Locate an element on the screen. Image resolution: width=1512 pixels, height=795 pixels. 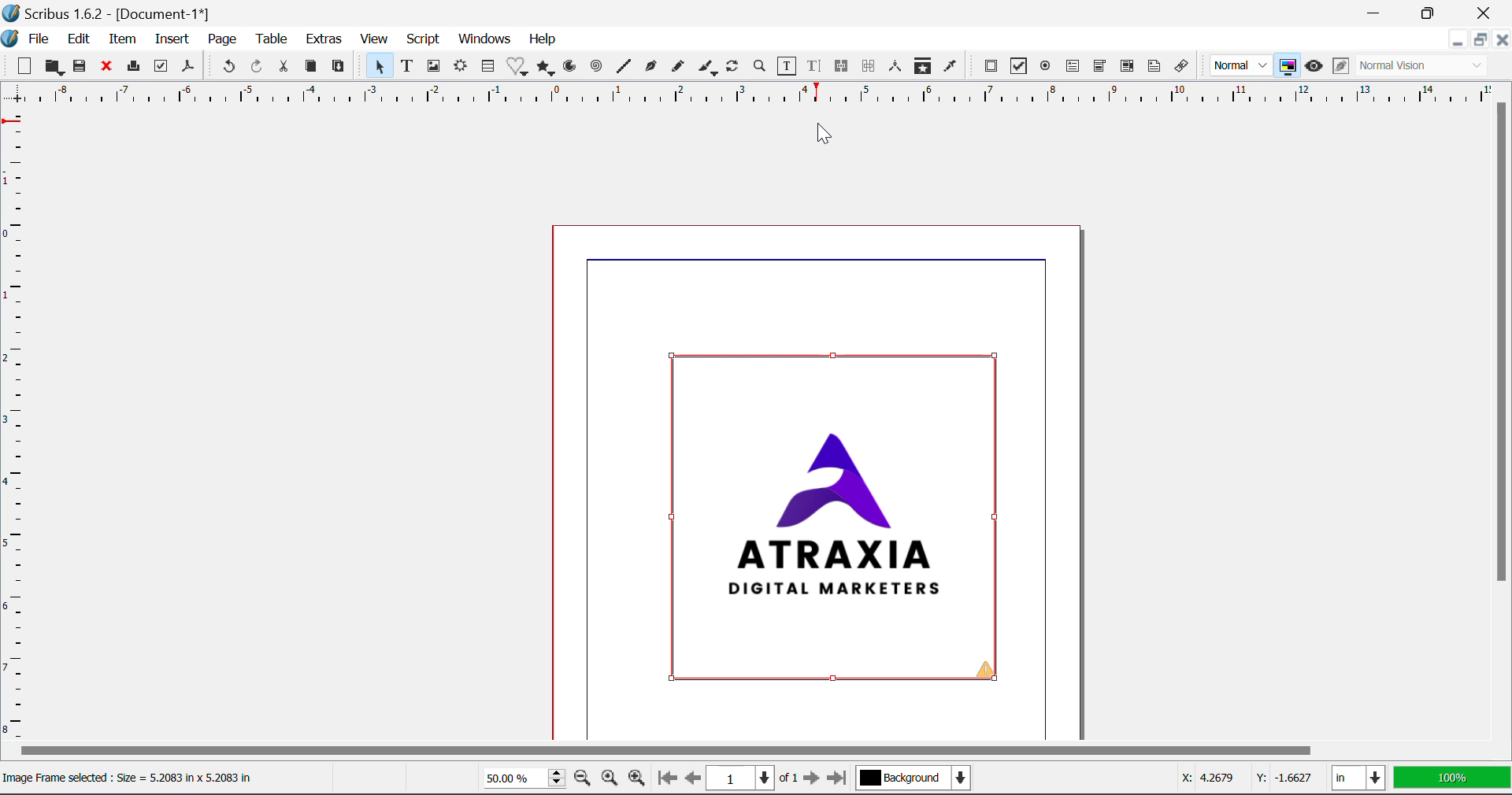
New is located at coordinates (24, 65).